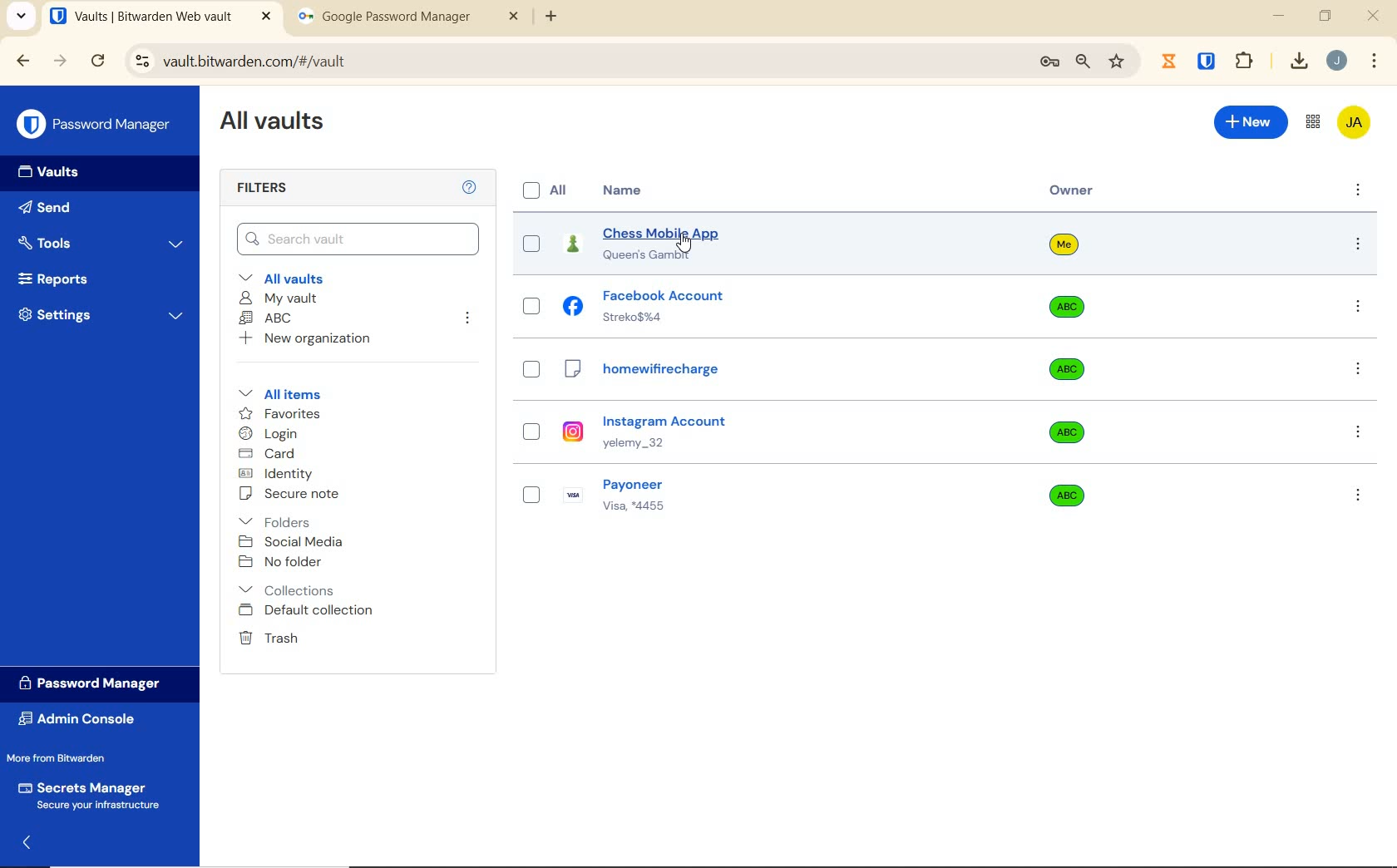 Image resolution: width=1397 pixels, height=868 pixels. I want to click on No folder, so click(283, 562).